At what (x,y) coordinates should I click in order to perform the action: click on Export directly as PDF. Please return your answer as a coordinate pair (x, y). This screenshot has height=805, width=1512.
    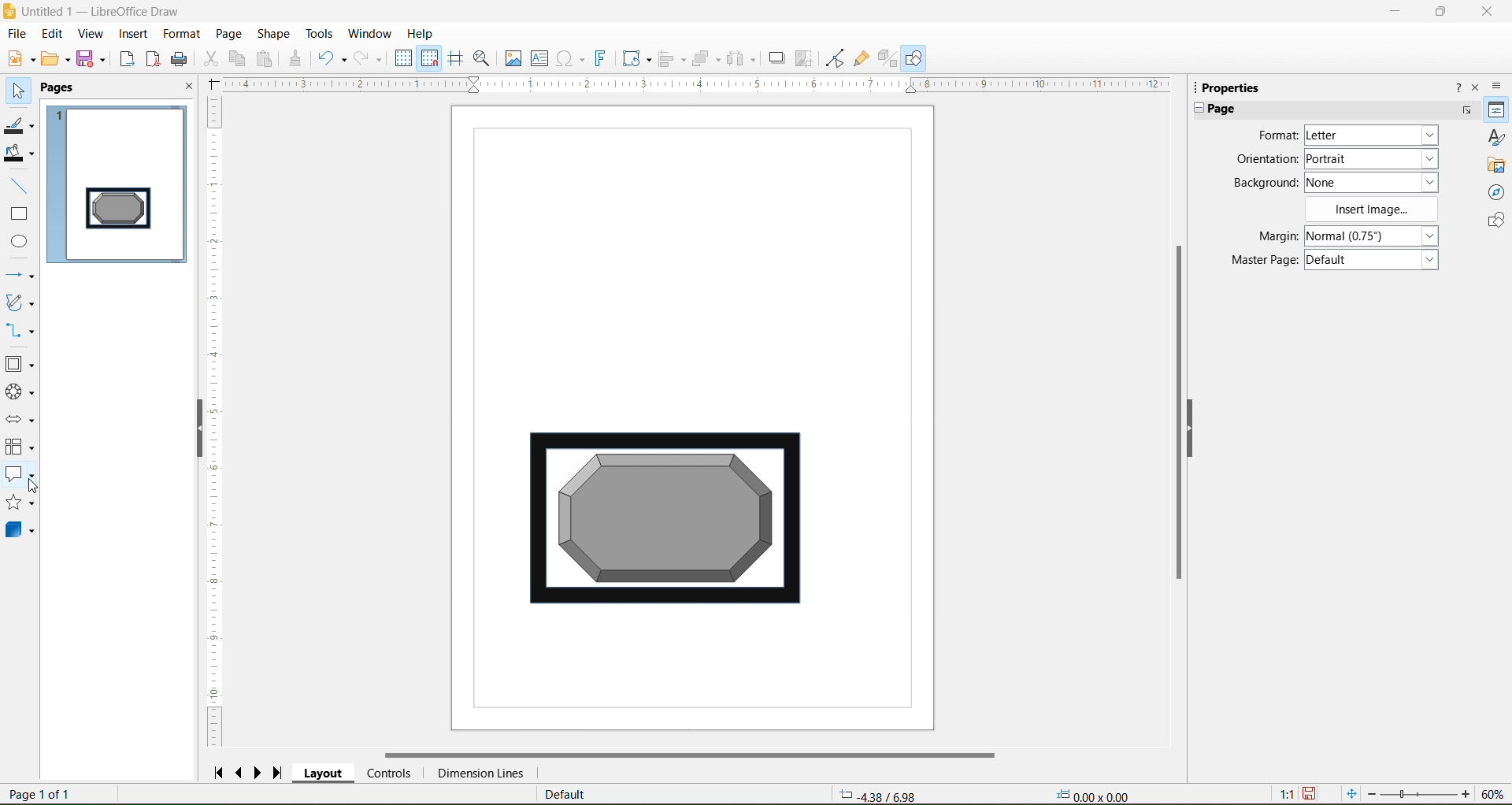
    Looking at the image, I should click on (153, 59).